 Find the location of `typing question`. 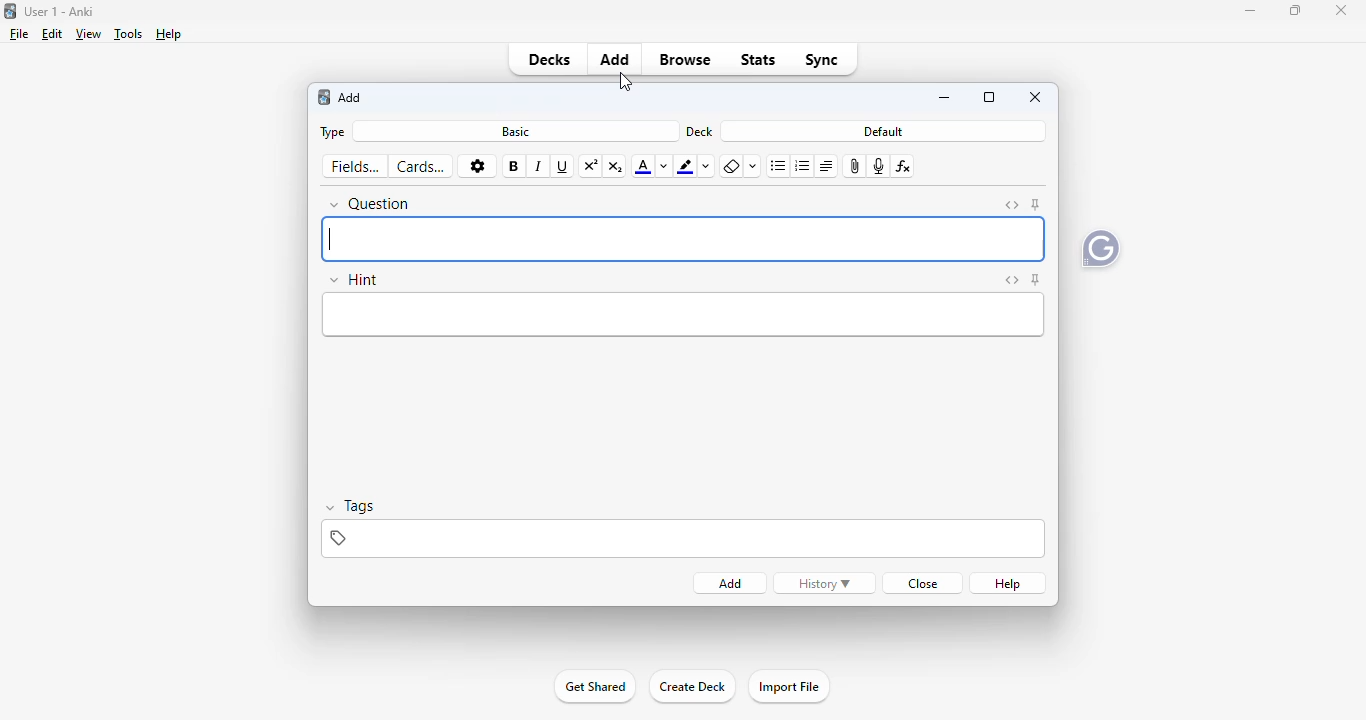

typing question is located at coordinates (682, 238).